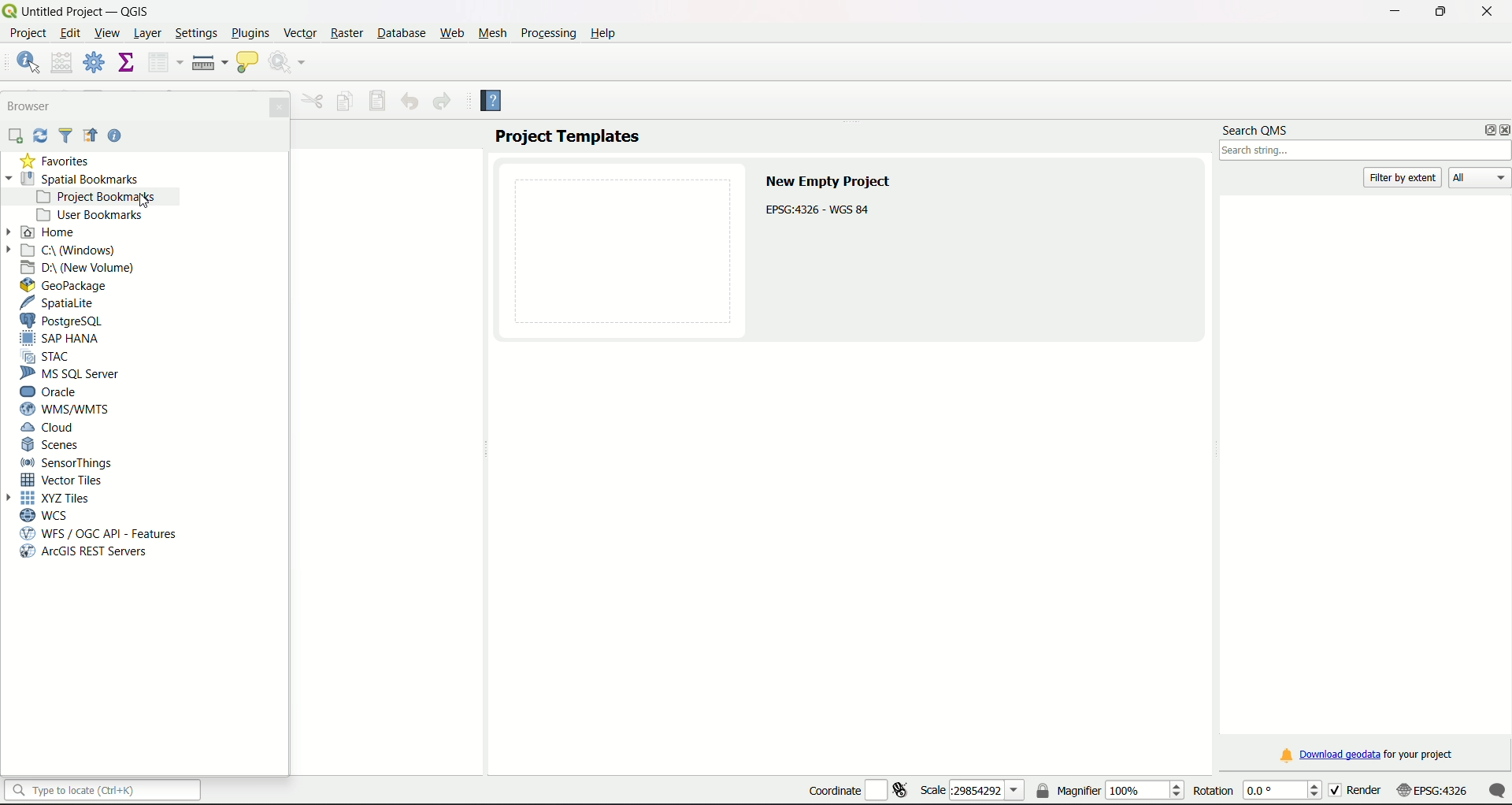  I want to click on User bookmarks, so click(89, 215).